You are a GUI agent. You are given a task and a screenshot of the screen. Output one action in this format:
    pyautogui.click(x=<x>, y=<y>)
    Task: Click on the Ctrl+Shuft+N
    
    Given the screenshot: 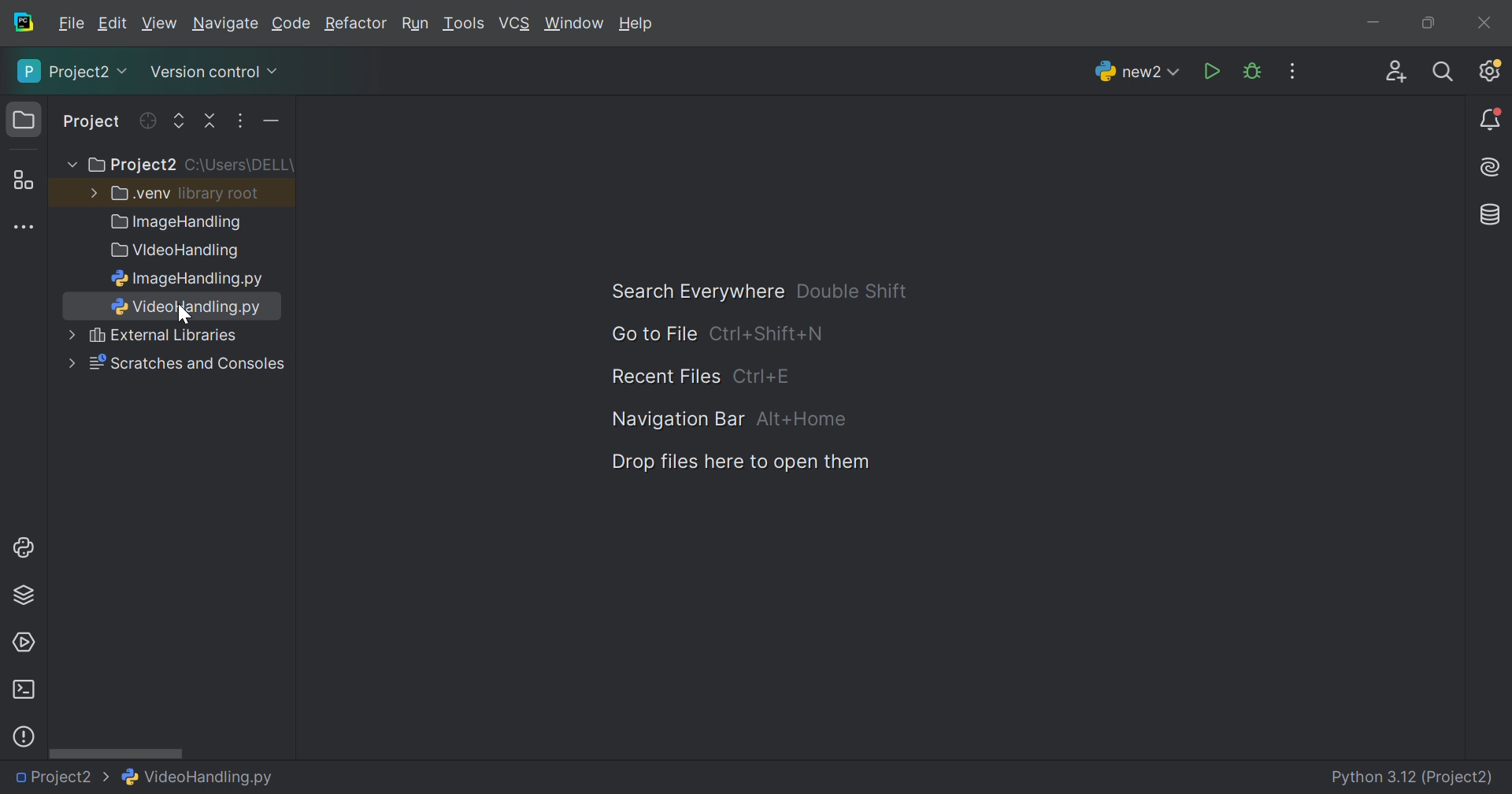 What is the action you would take?
    pyautogui.click(x=766, y=335)
    